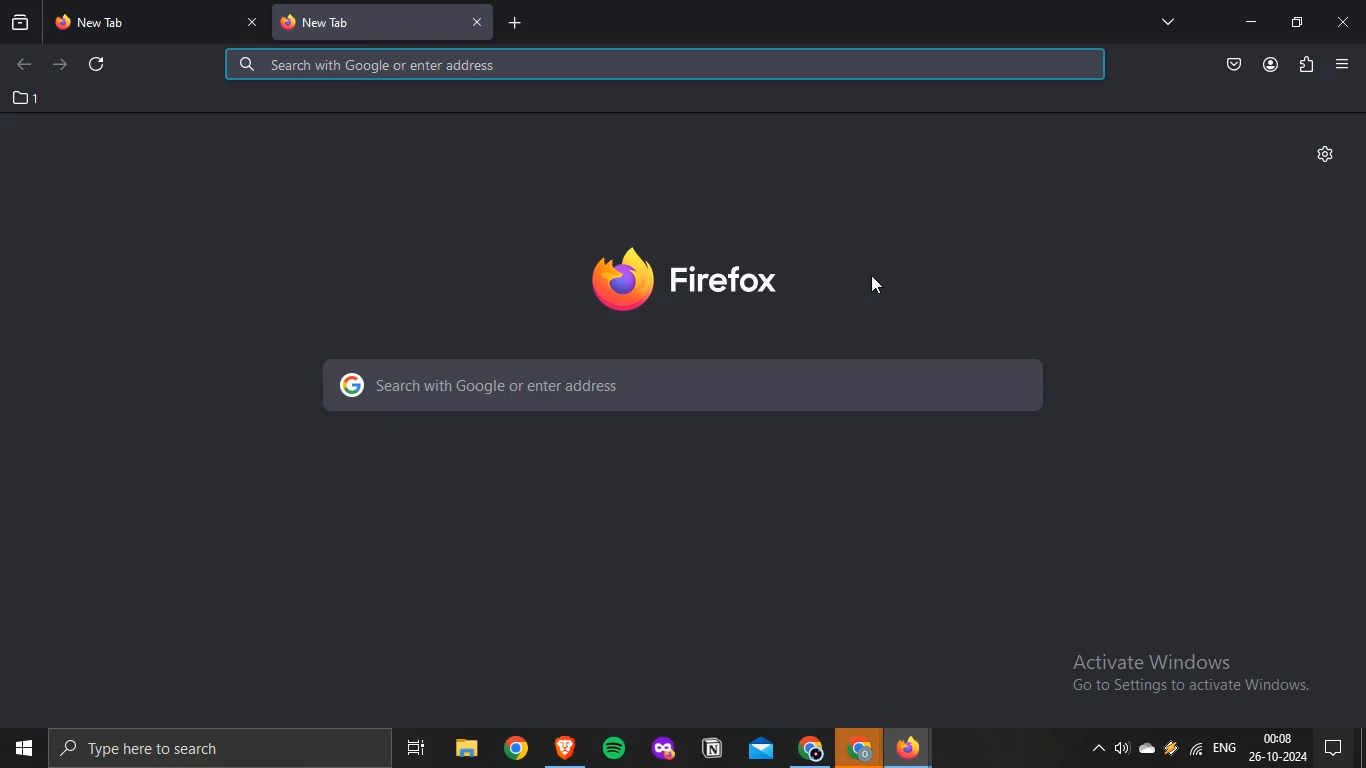 Image resolution: width=1366 pixels, height=768 pixels. Describe the element at coordinates (1277, 738) in the screenshot. I see `00:08` at that location.